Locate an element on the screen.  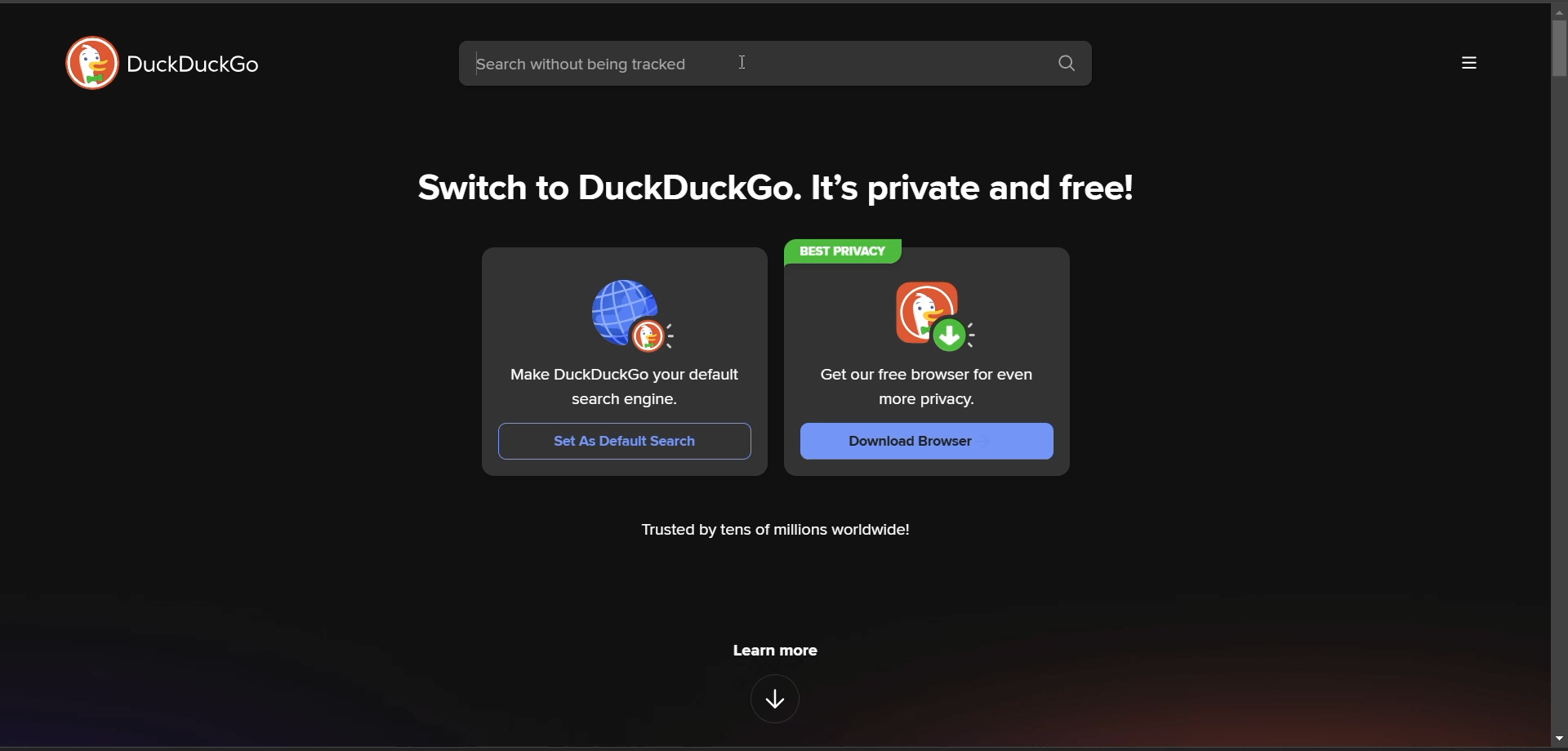
logo is located at coordinates (93, 63).